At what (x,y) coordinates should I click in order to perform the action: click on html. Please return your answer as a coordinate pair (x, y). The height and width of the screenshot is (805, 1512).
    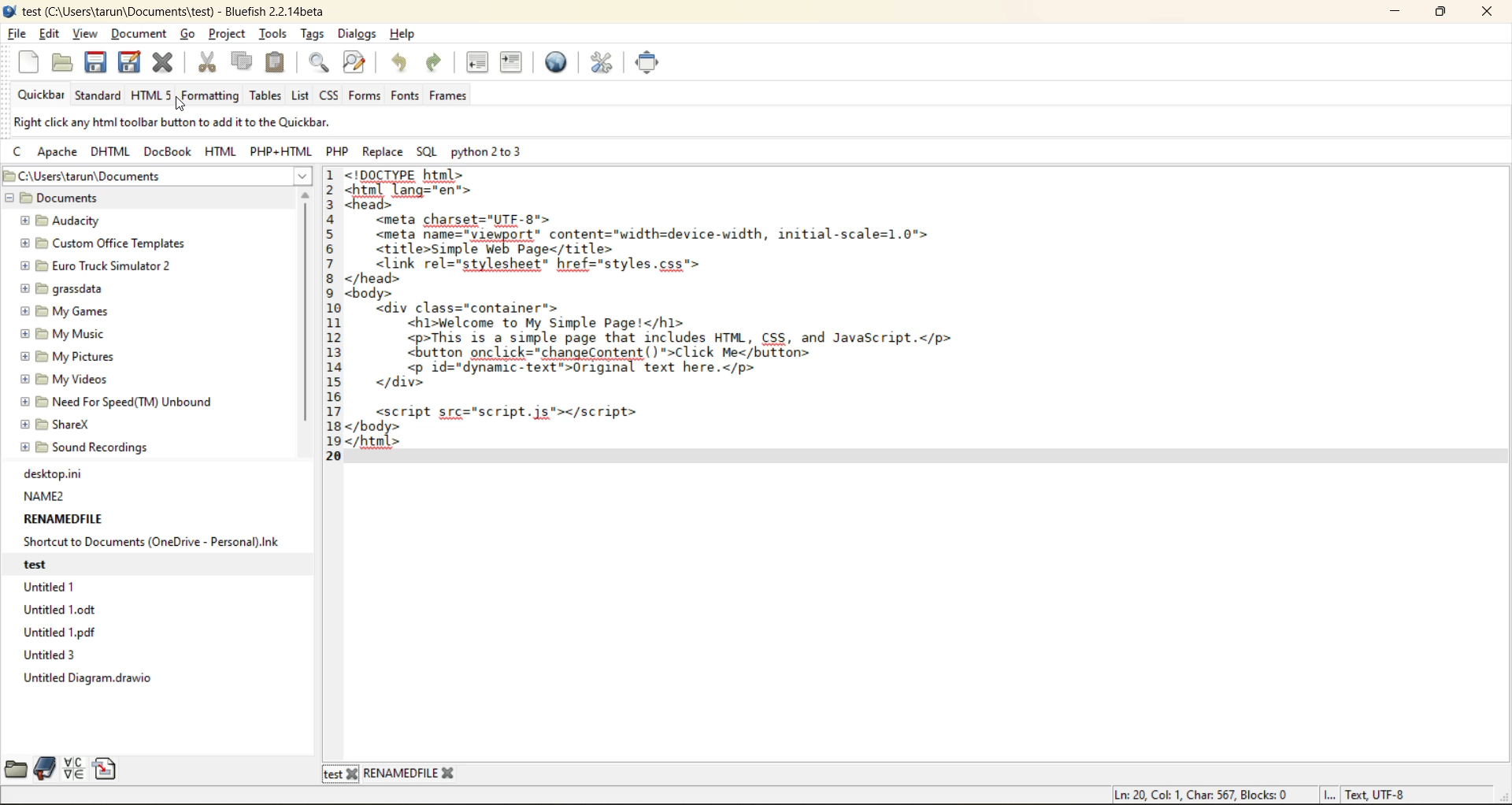
    Looking at the image, I should click on (220, 150).